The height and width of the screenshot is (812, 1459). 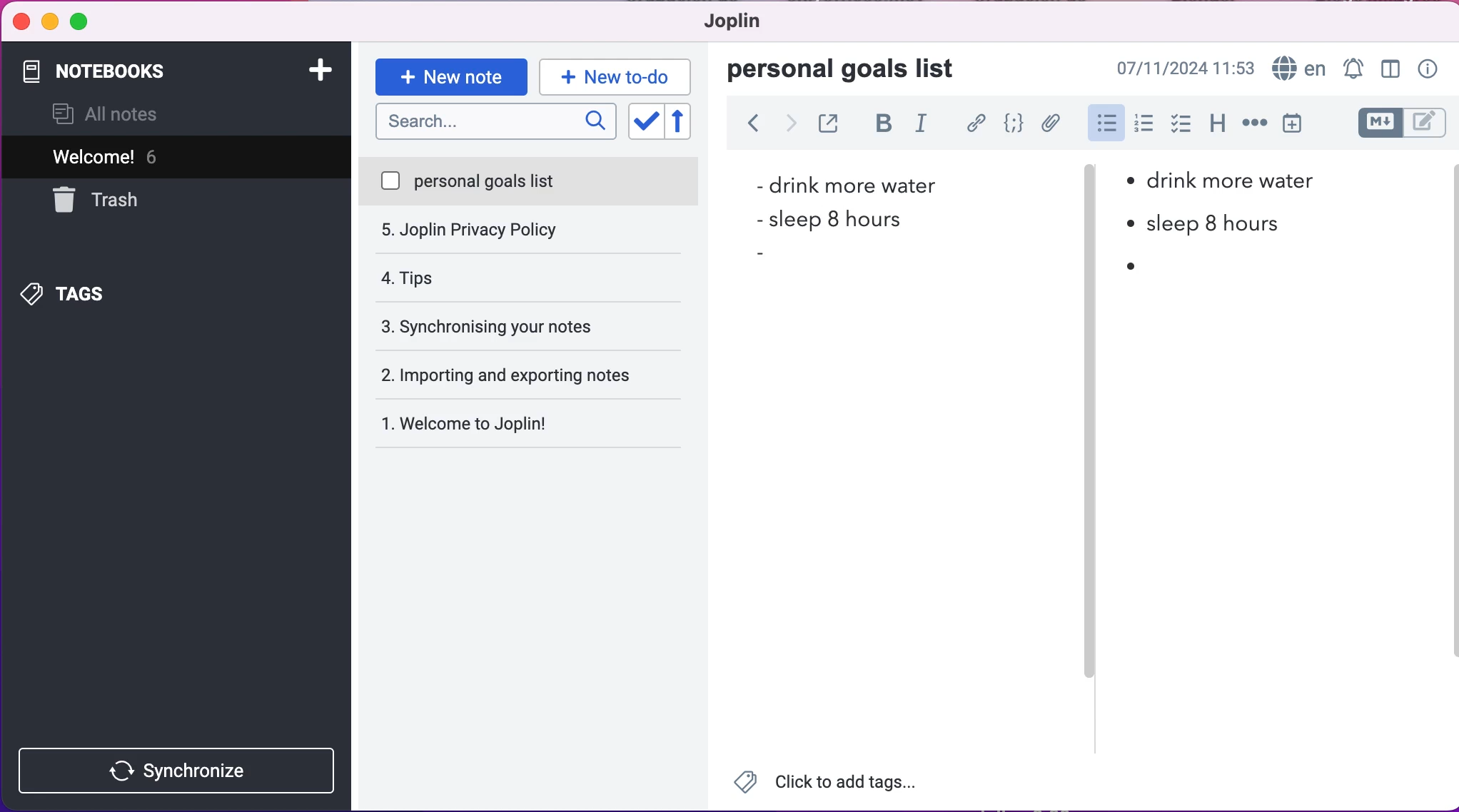 I want to click on Drink more water, so click(x=1232, y=178).